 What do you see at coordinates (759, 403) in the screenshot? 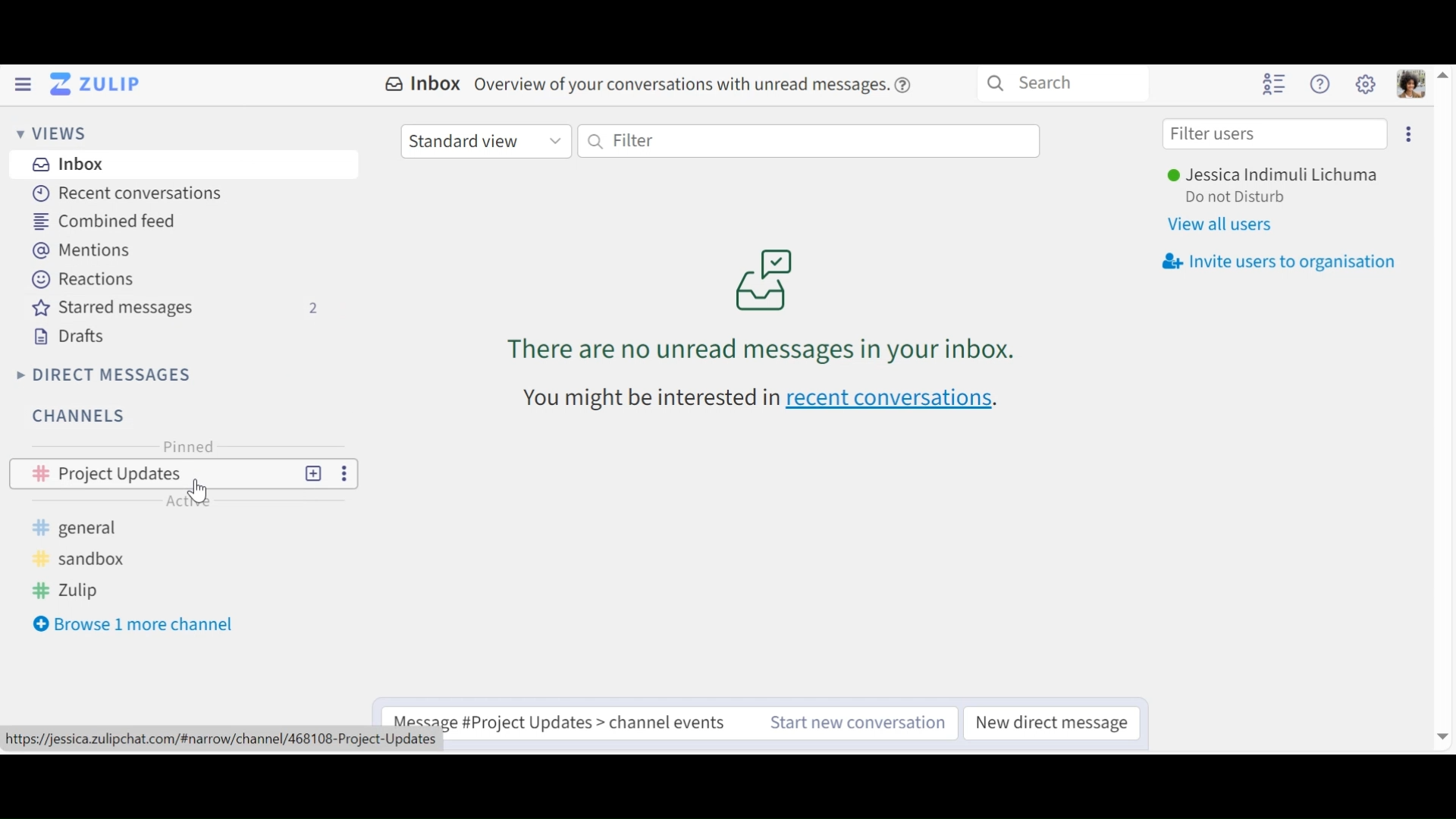
I see `You might be interested in recent conversations.` at bounding box center [759, 403].